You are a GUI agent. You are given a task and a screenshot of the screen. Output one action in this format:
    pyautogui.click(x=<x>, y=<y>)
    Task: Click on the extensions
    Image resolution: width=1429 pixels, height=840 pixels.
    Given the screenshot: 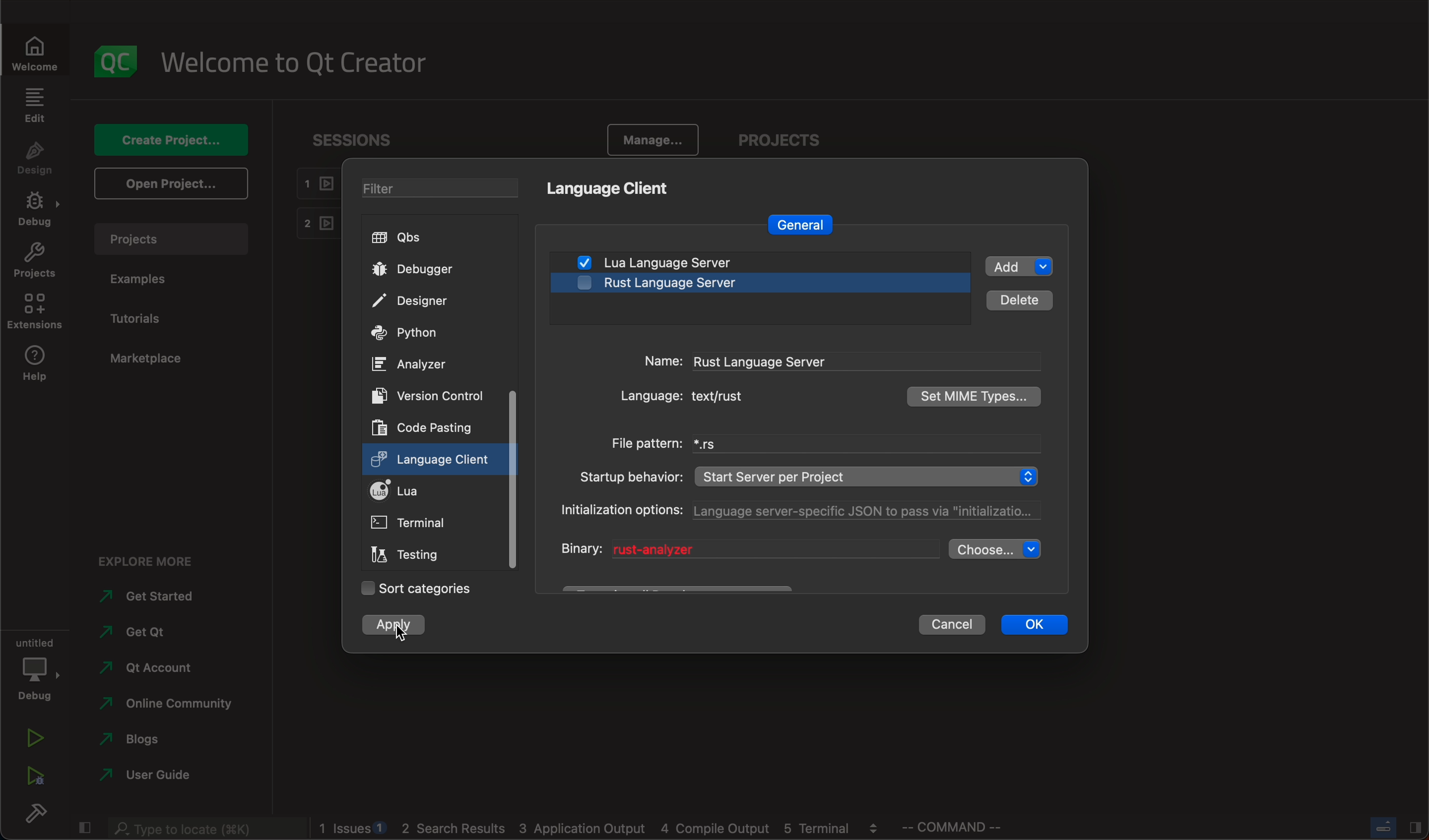 What is the action you would take?
    pyautogui.click(x=35, y=312)
    